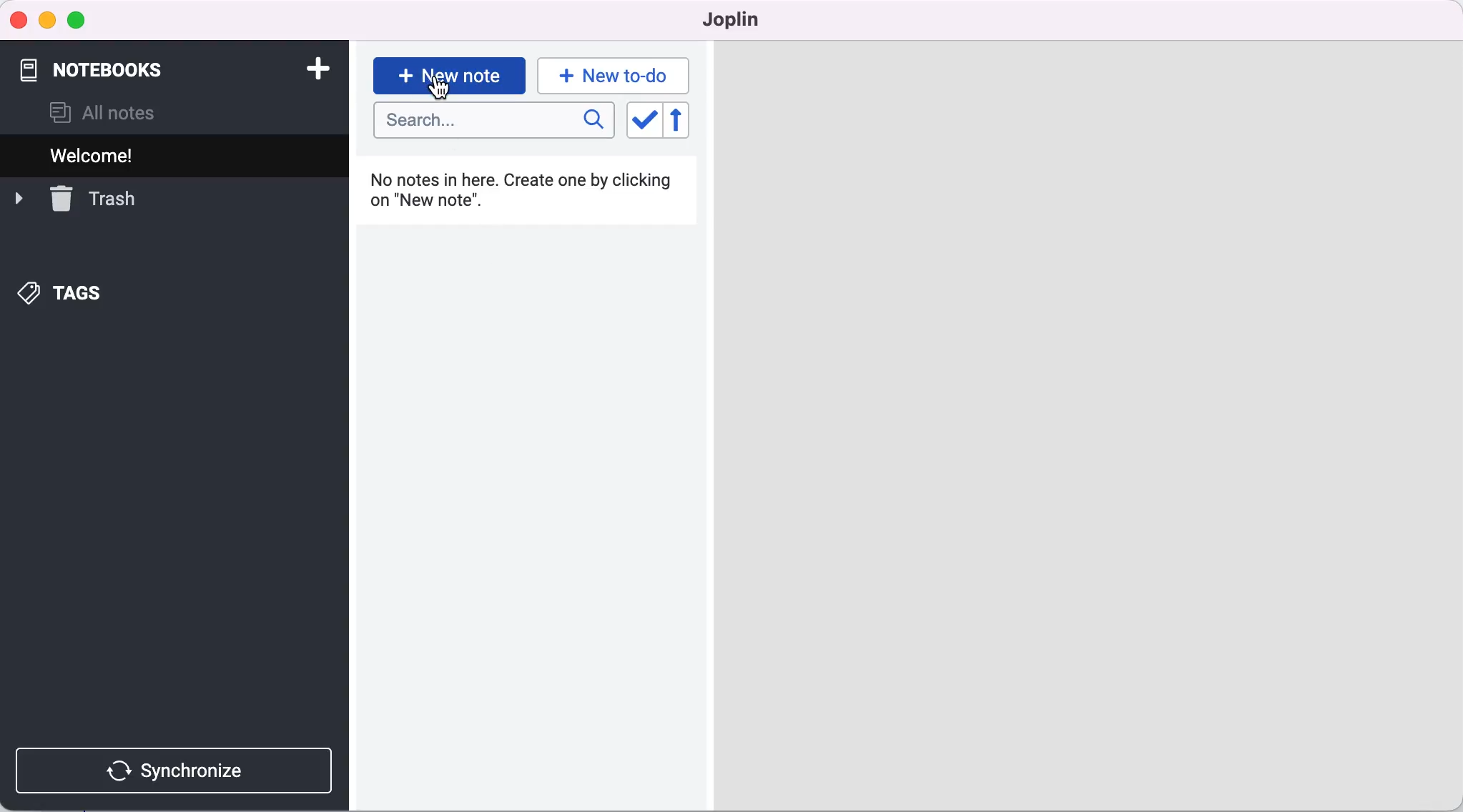 This screenshot has width=1463, height=812. What do you see at coordinates (179, 770) in the screenshot?
I see `synchronize` at bounding box center [179, 770].